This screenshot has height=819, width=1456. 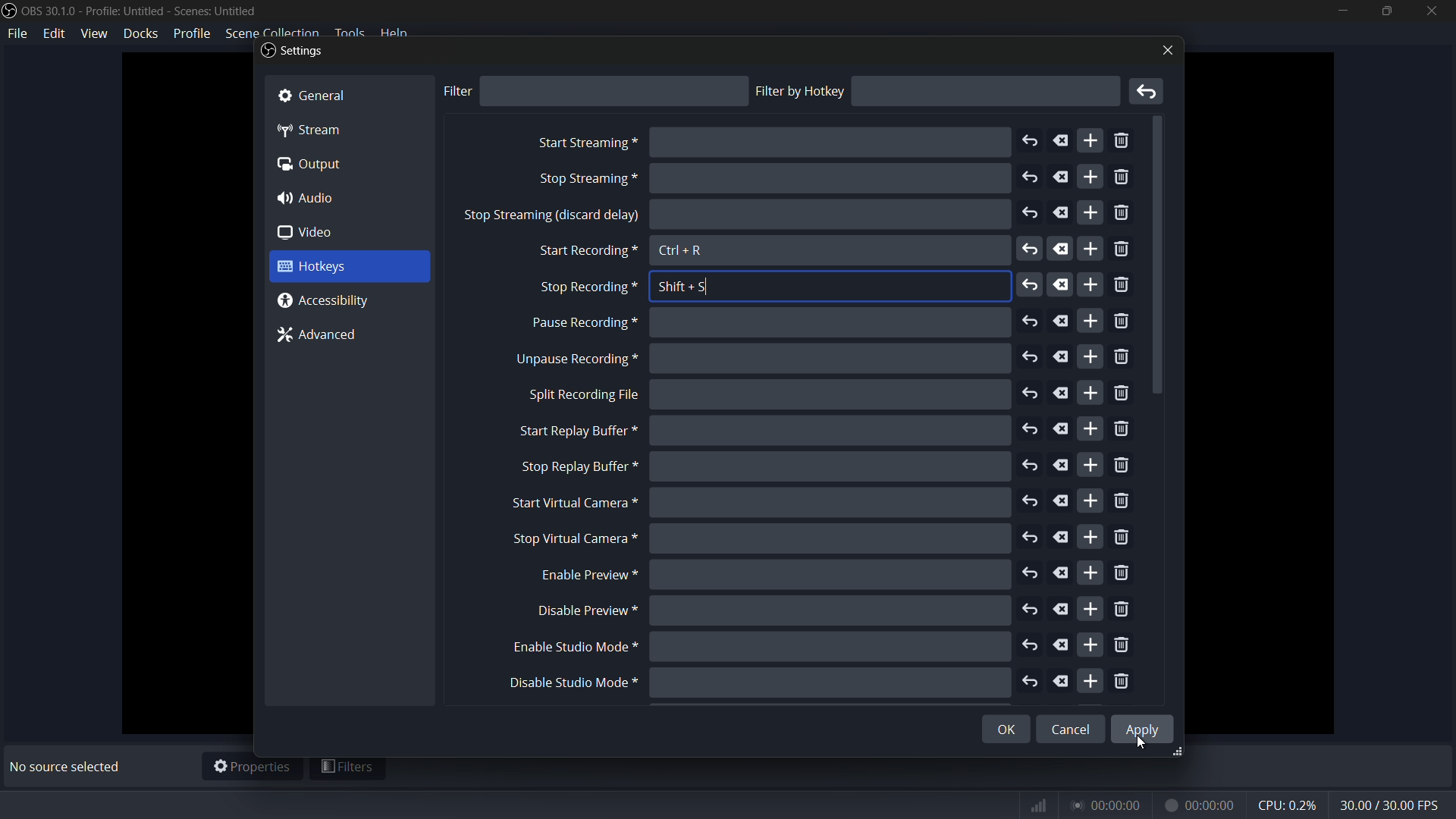 What do you see at coordinates (1062, 428) in the screenshot?
I see `delete` at bounding box center [1062, 428].